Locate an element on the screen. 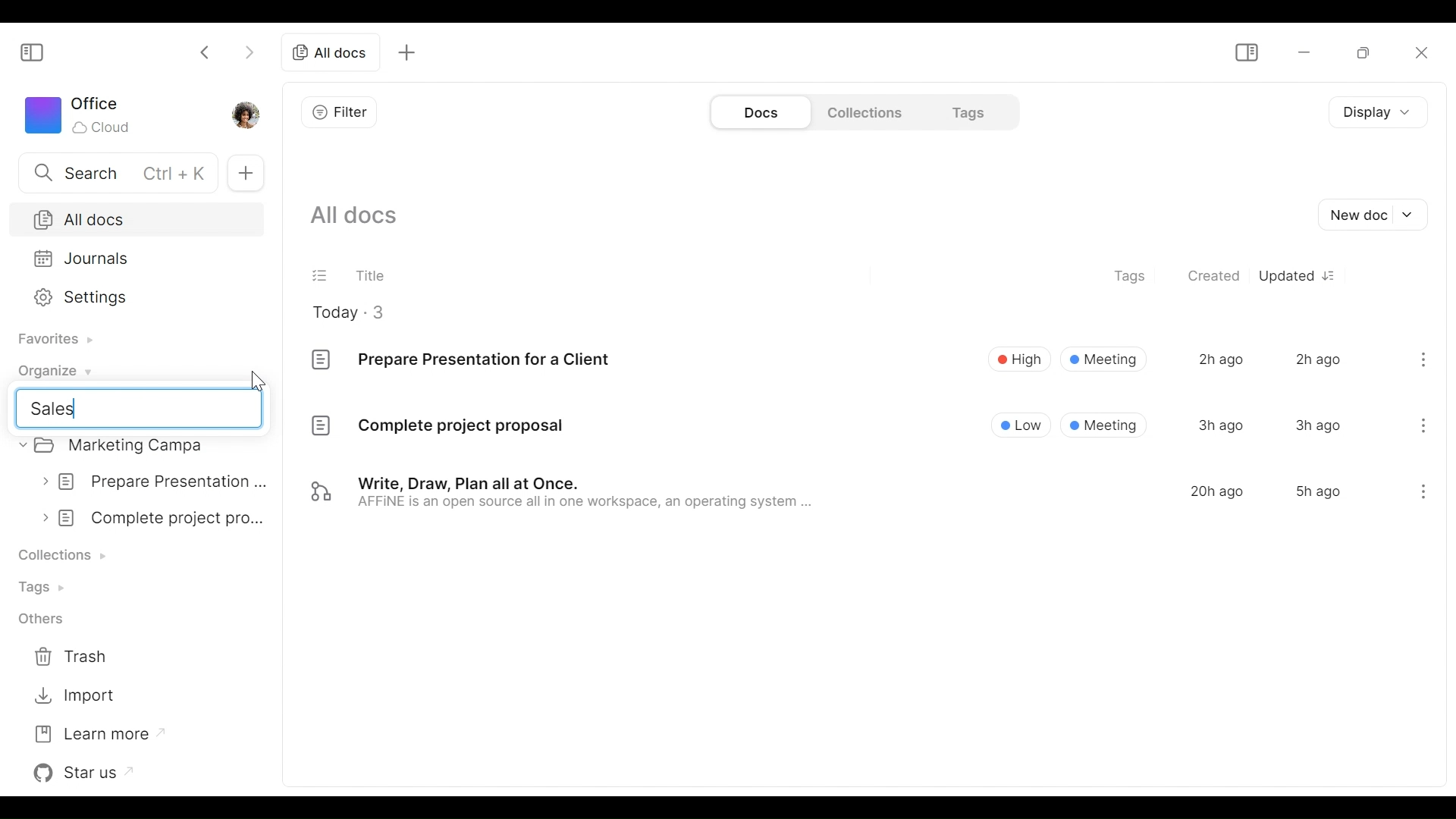 The width and height of the screenshot is (1456, 819). Profile photo is located at coordinates (251, 114).